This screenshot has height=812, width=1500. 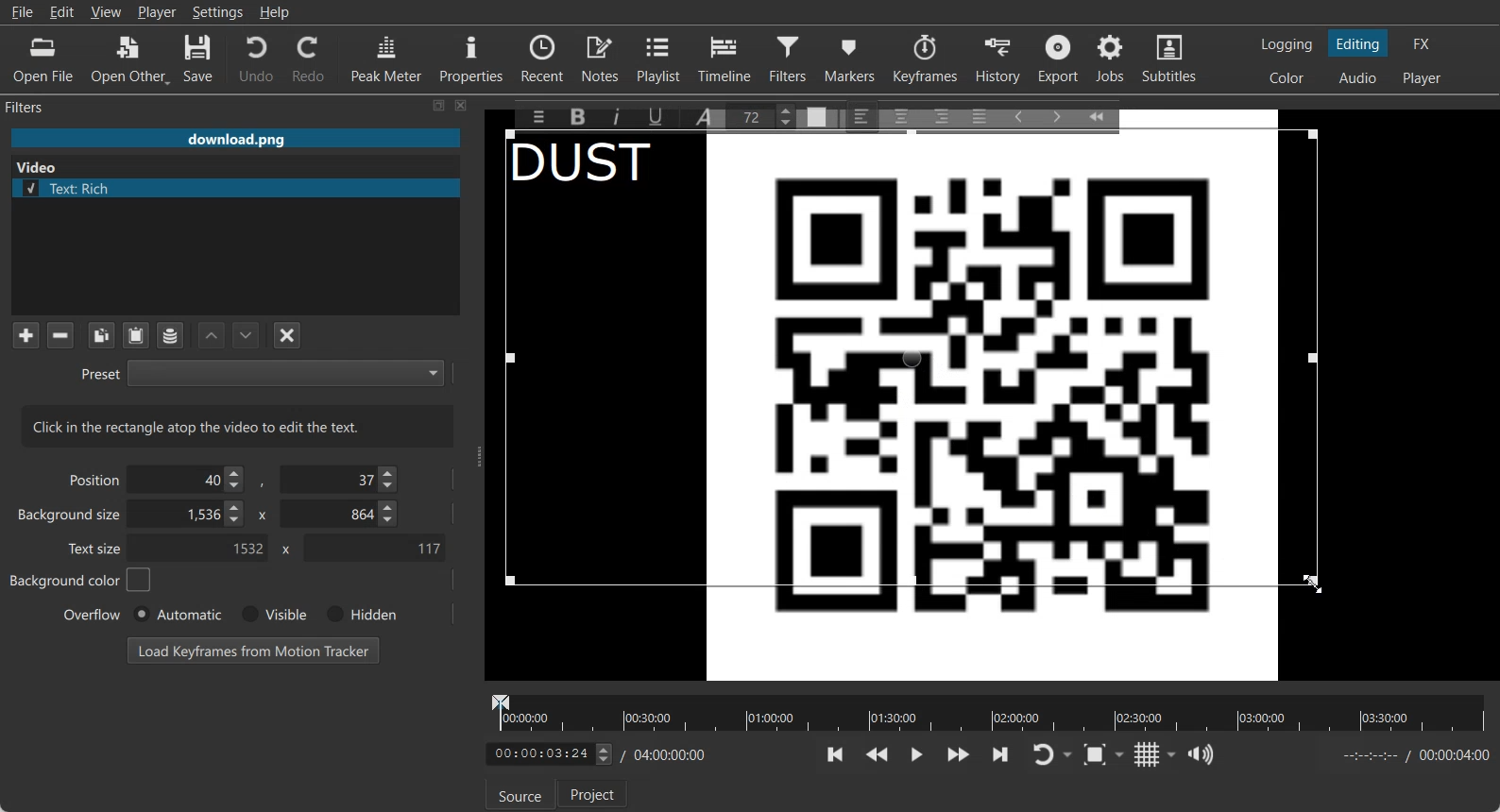 What do you see at coordinates (288, 335) in the screenshot?
I see `Deselect the filter` at bounding box center [288, 335].